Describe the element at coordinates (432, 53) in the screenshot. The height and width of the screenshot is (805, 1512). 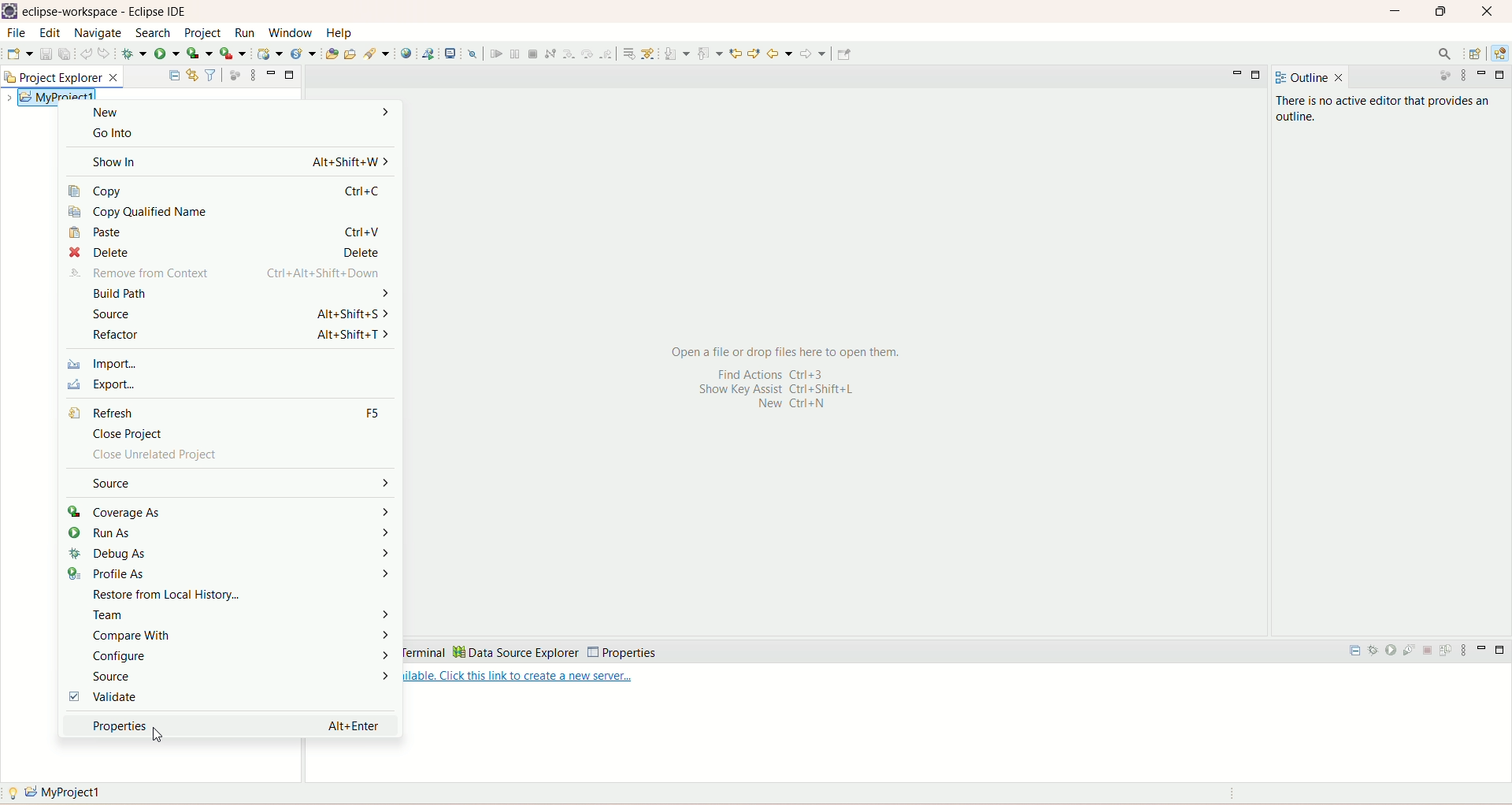
I see `launch a web service project` at that location.